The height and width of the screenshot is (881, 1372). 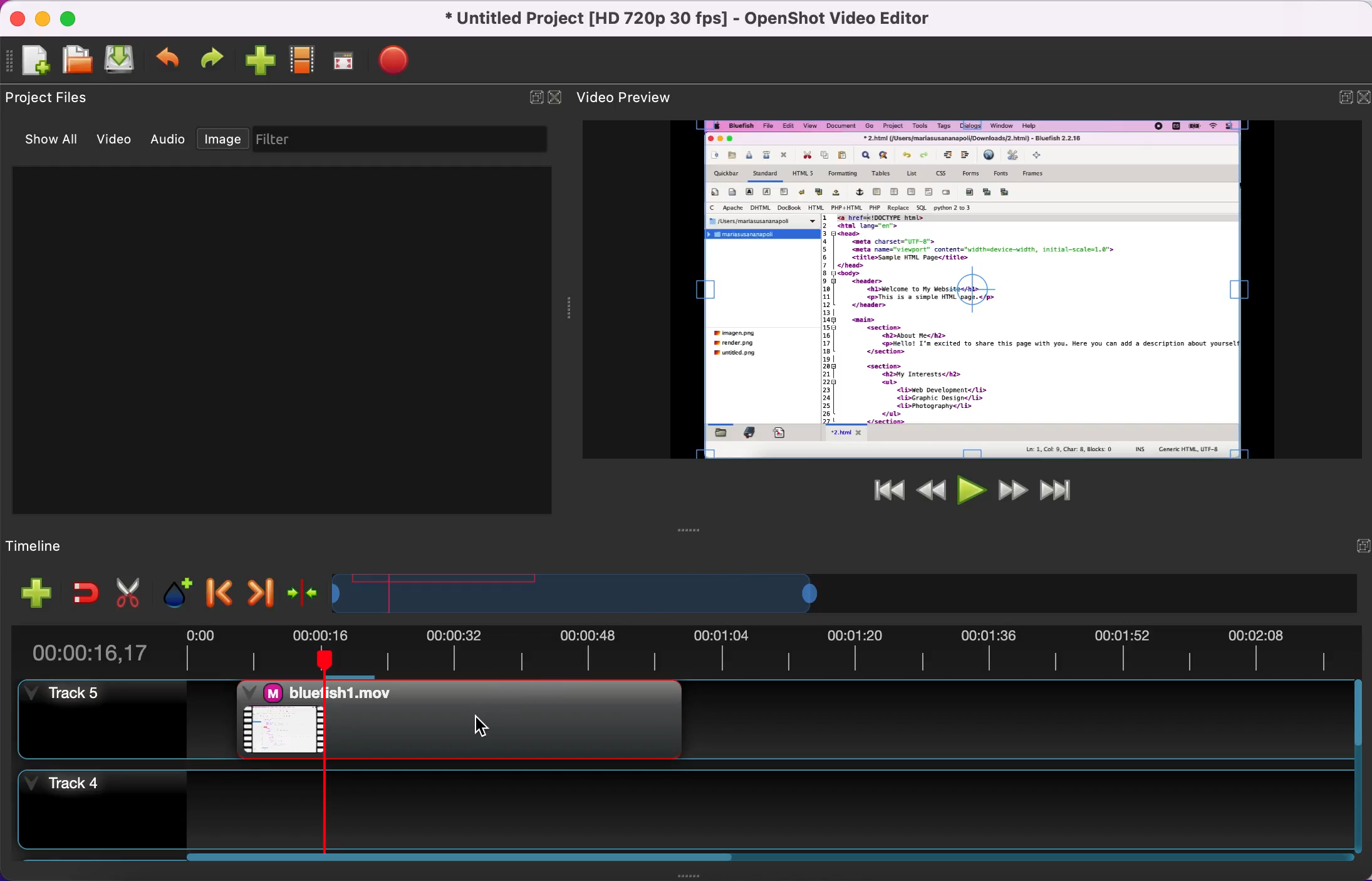 I want to click on filter, so click(x=405, y=140).